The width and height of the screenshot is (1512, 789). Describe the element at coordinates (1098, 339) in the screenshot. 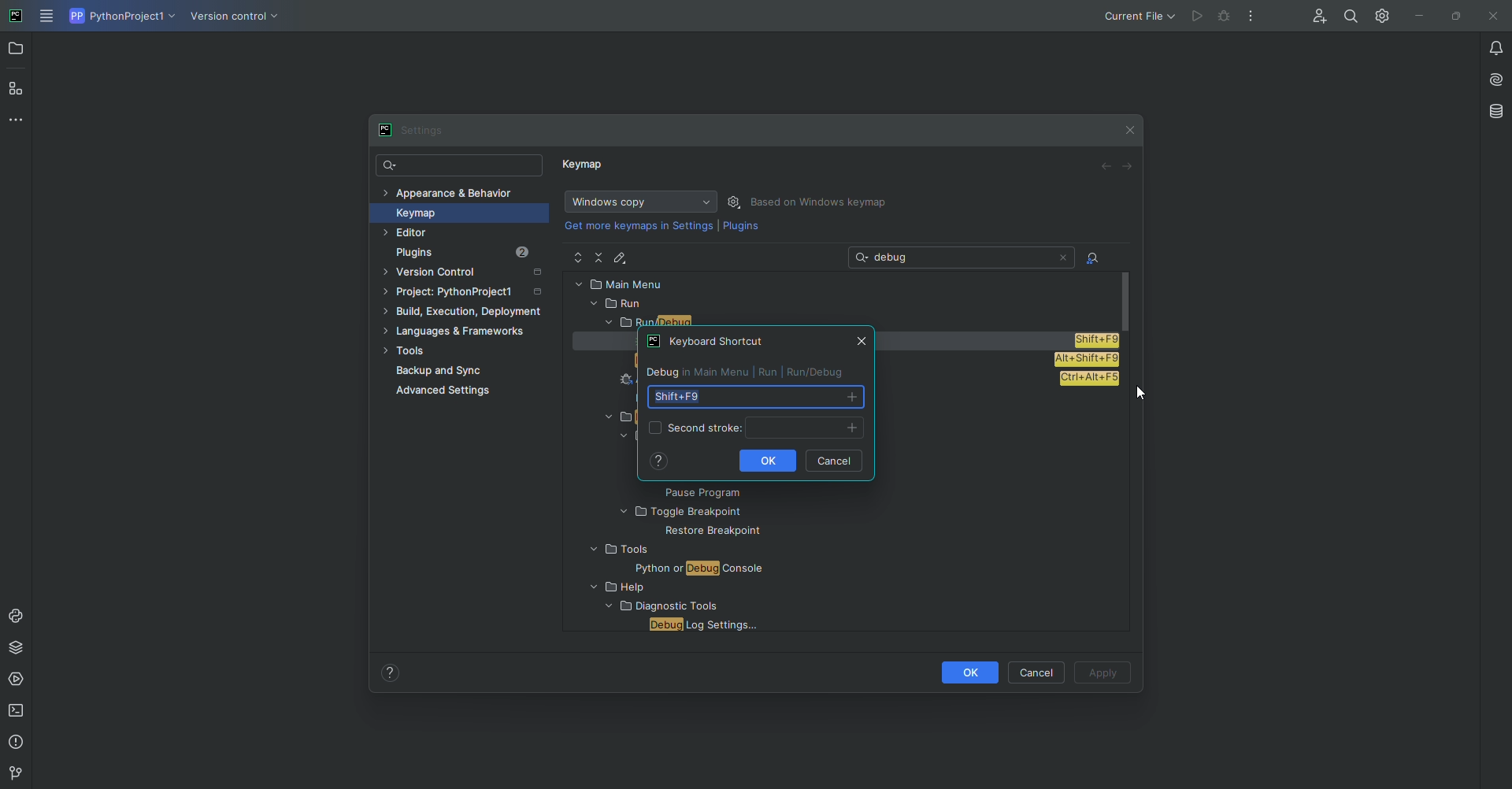

I see `shortcut` at that location.